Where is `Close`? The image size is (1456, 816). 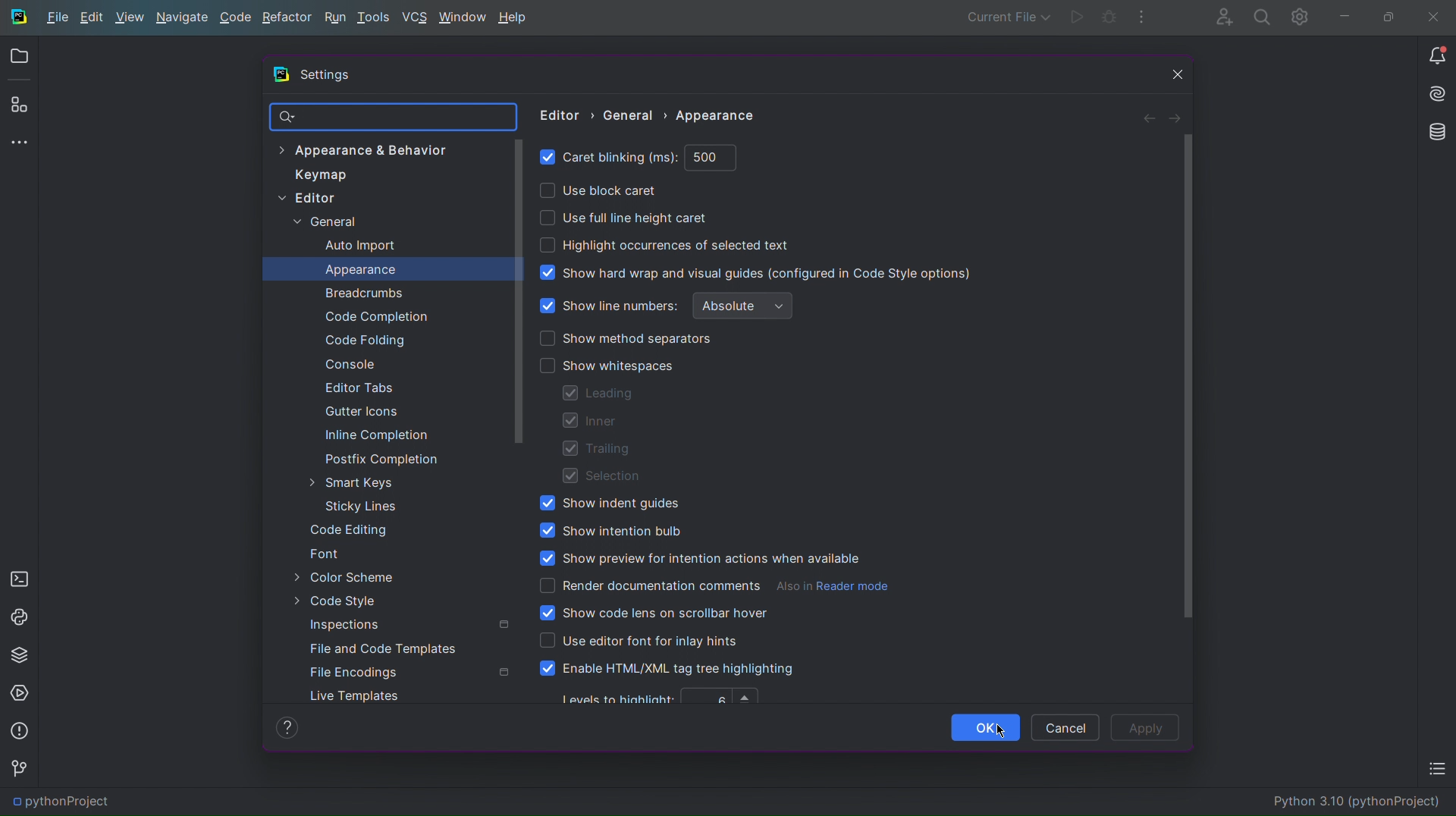 Close is located at coordinates (1173, 75).